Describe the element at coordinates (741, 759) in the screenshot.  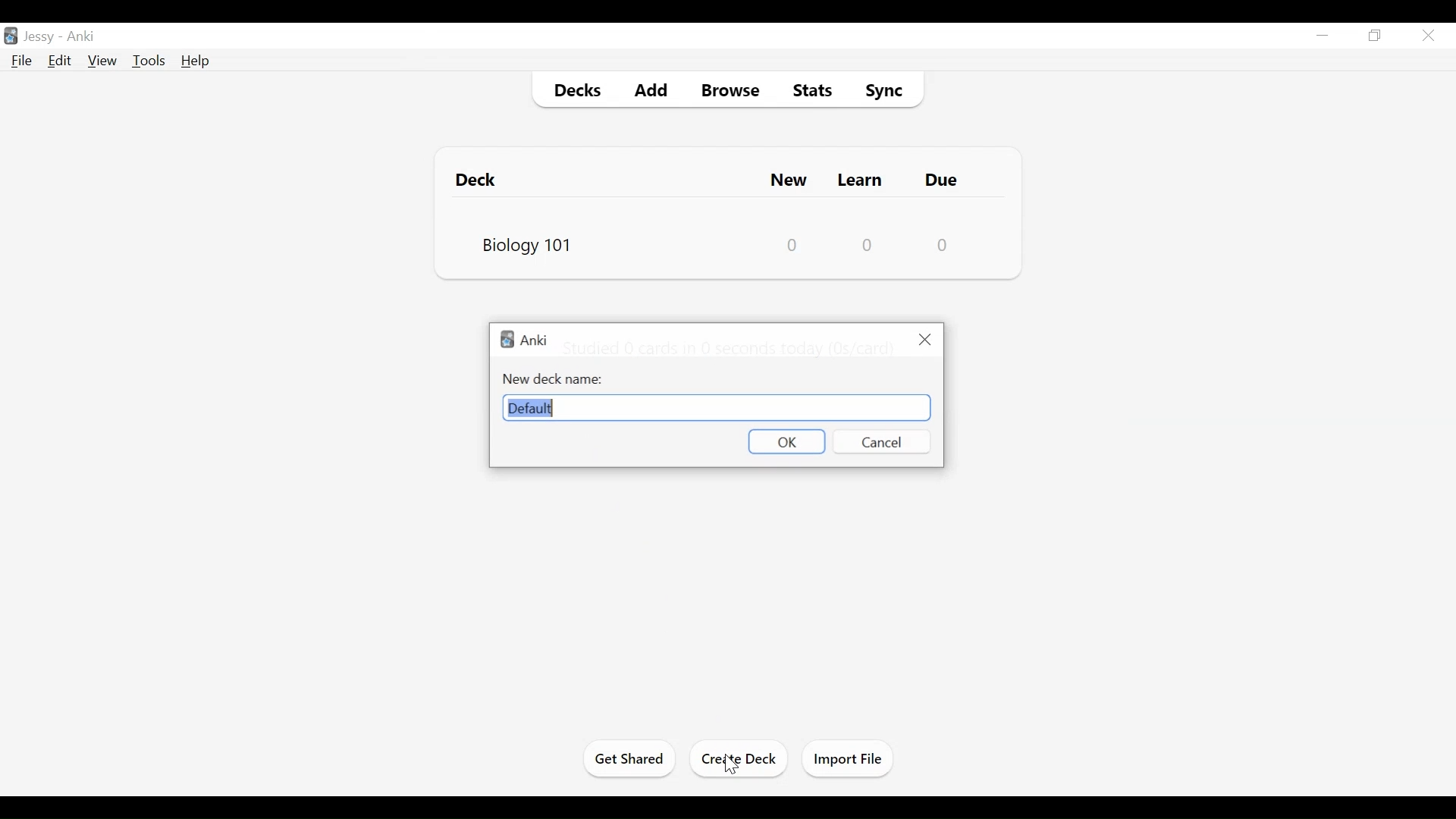
I see `Create Deck` at that location.